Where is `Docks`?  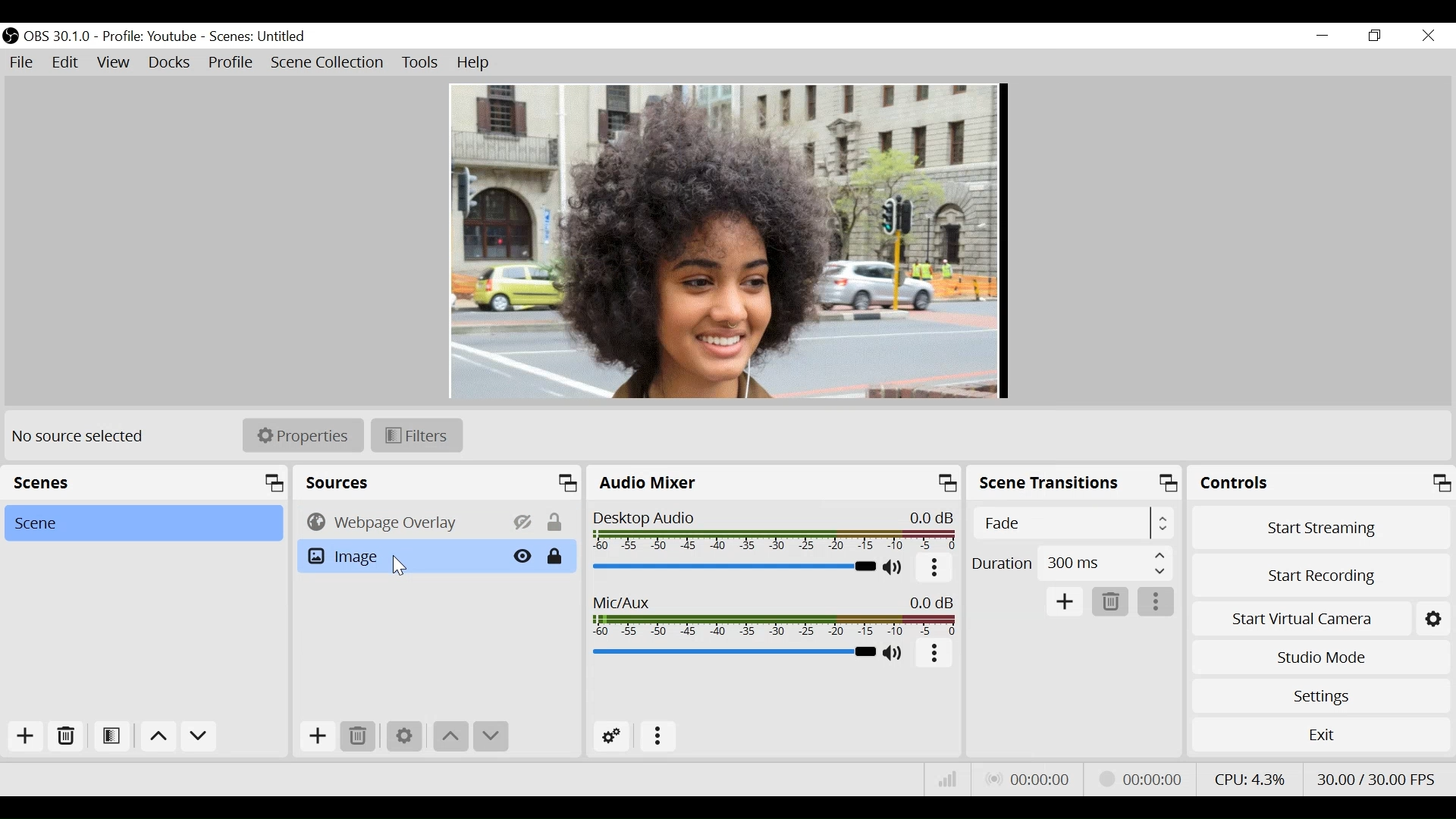
Docks is located at coordinates (171, 63).